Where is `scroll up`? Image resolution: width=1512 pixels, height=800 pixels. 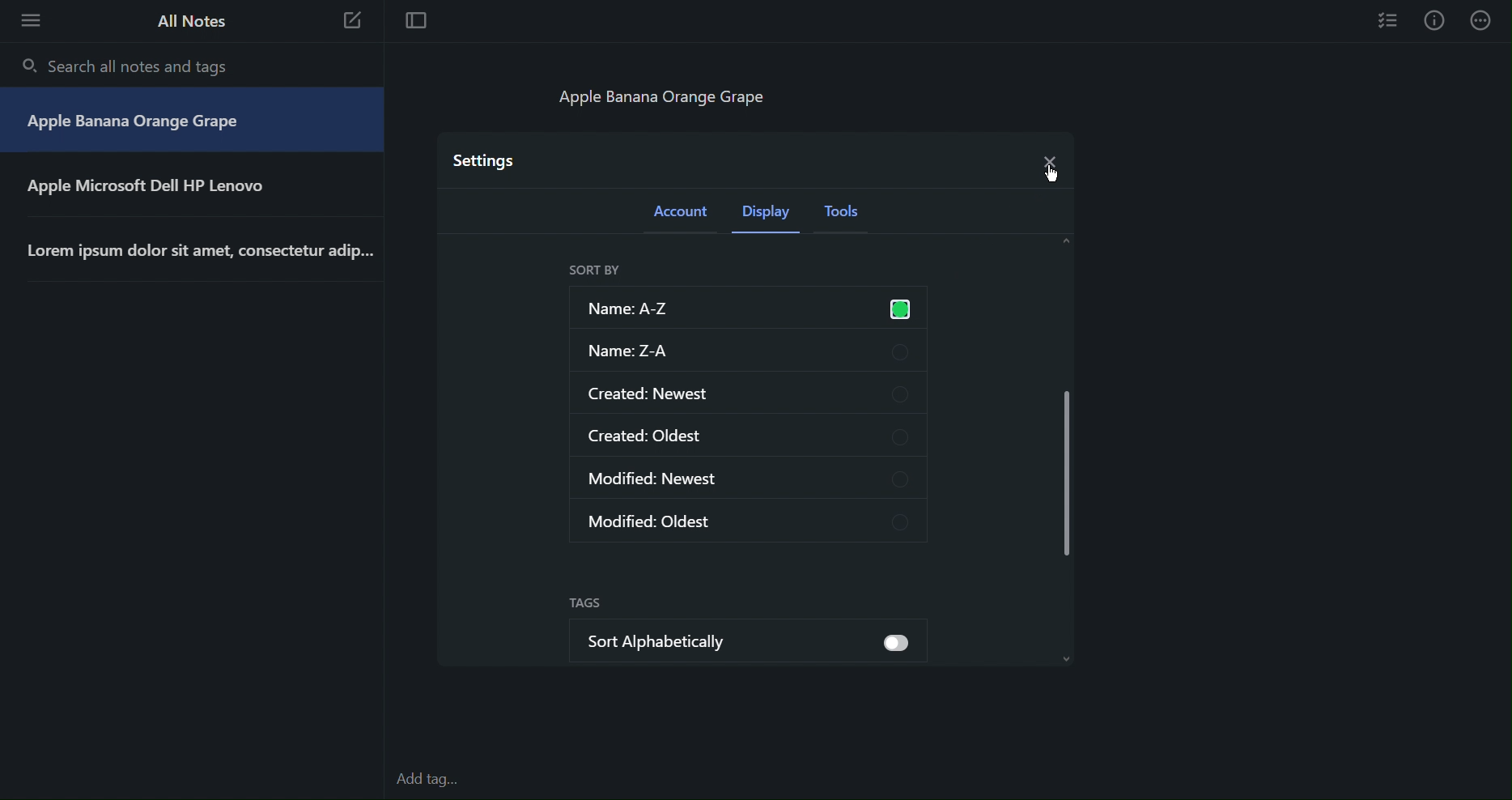
scroll up is located at coordinates (1068, 241).